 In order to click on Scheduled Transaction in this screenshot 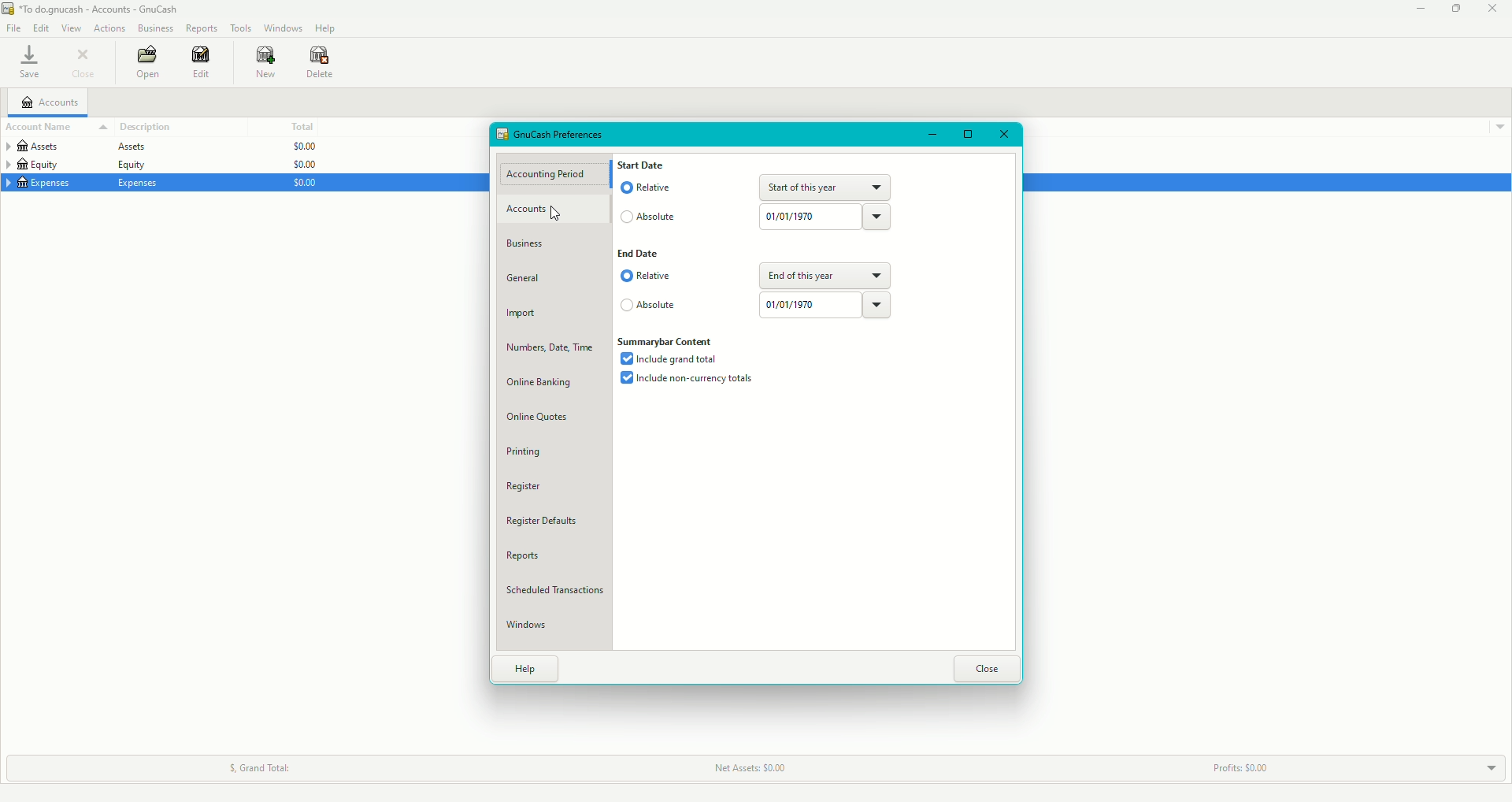, I will do `click(558, 592)`.